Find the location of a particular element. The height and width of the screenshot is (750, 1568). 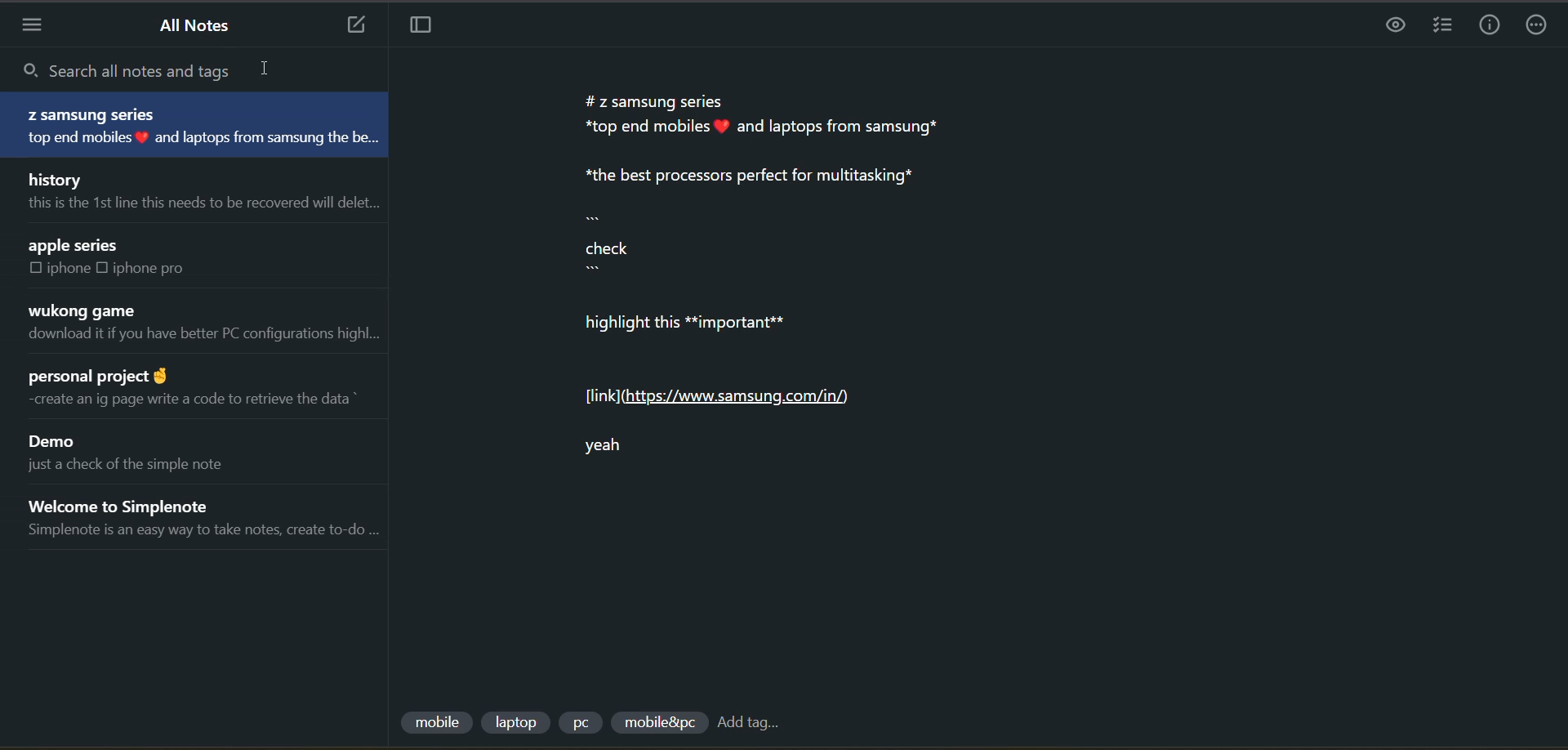

pc is located at coordinates (585, 725).